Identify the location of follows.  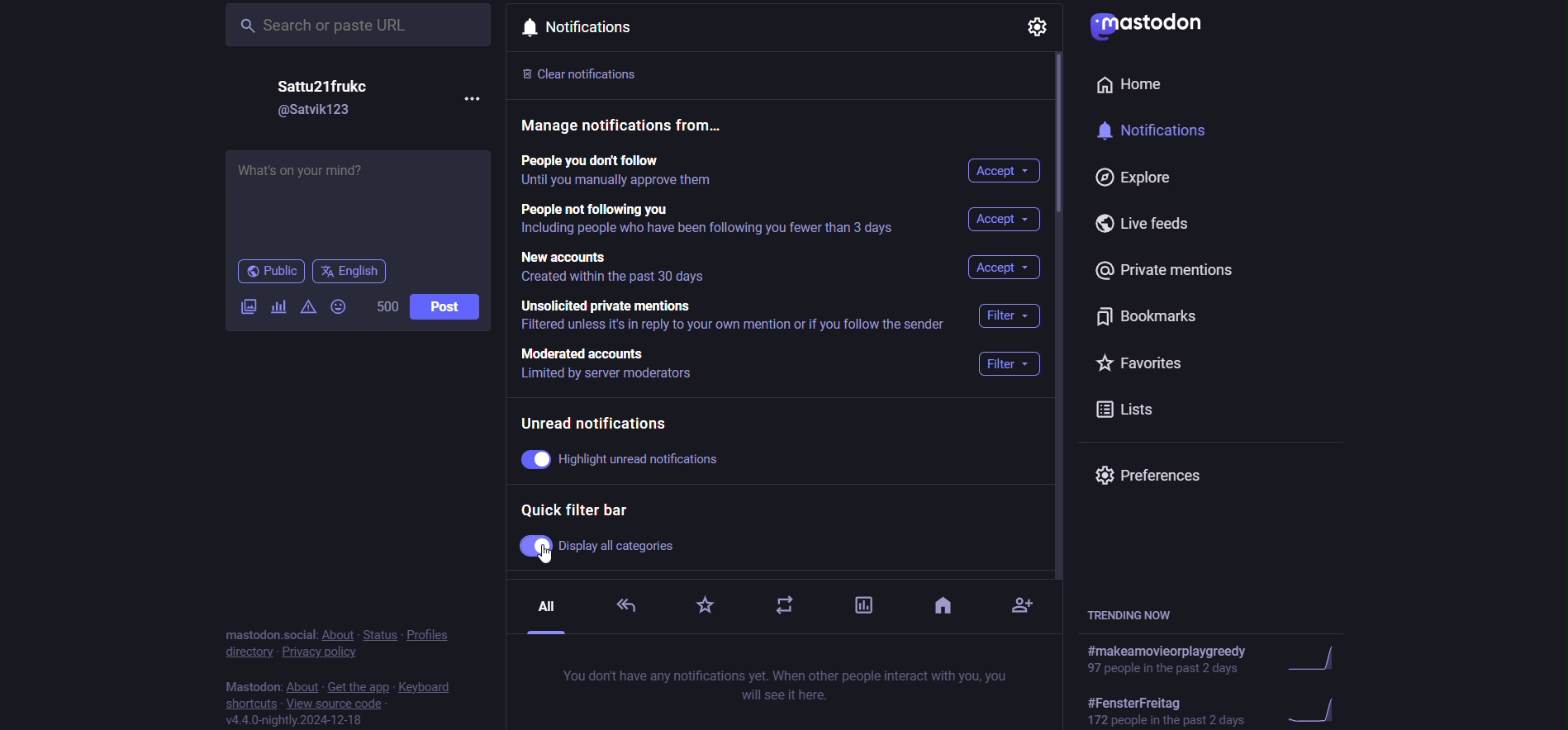
(1029, 602).